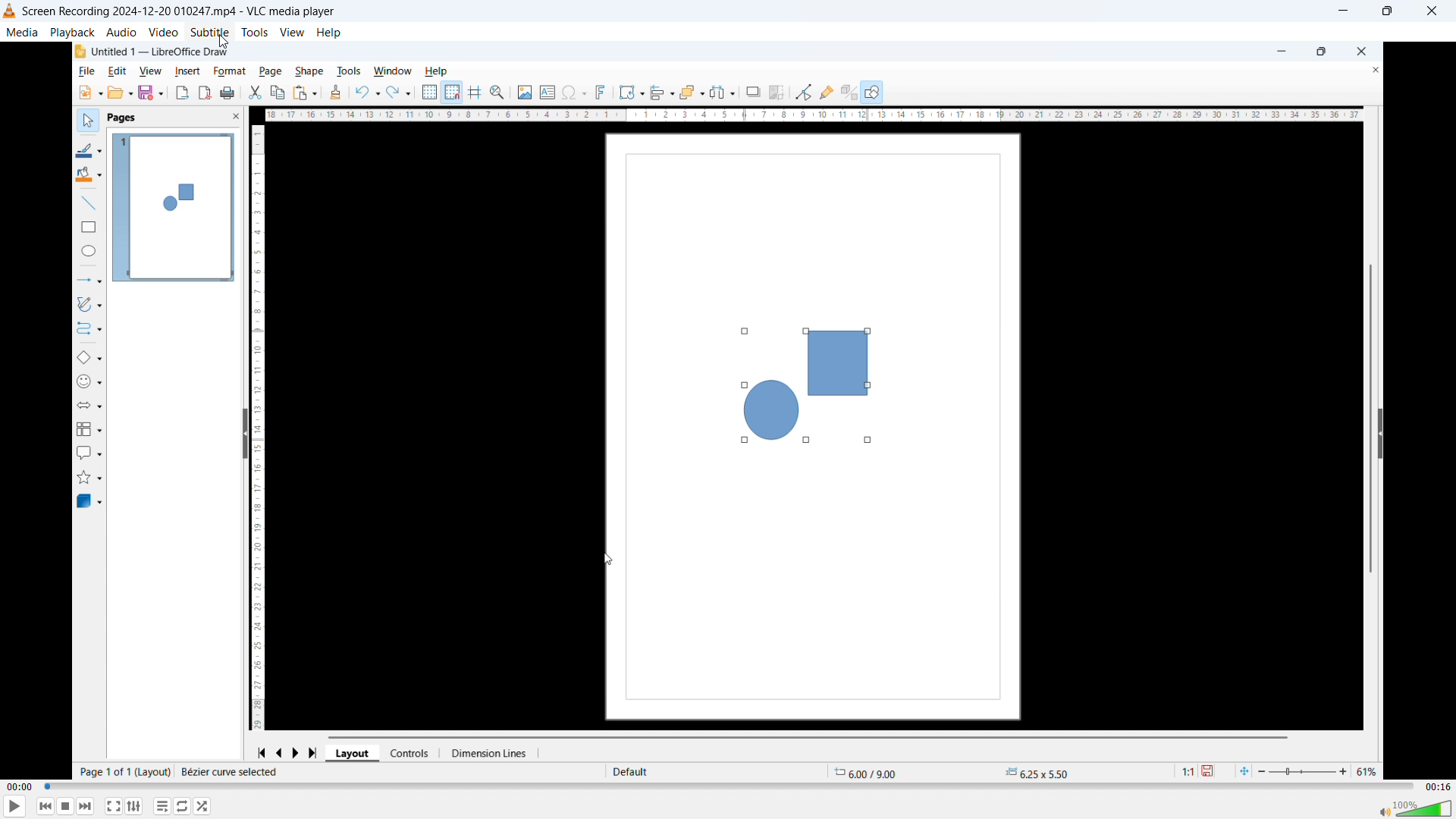 This screenshot has width=1456, height=819. What do you see at coordinates (1321, 769) in the screenshot?
I see `zoom` at bounding box center [1321, 769].